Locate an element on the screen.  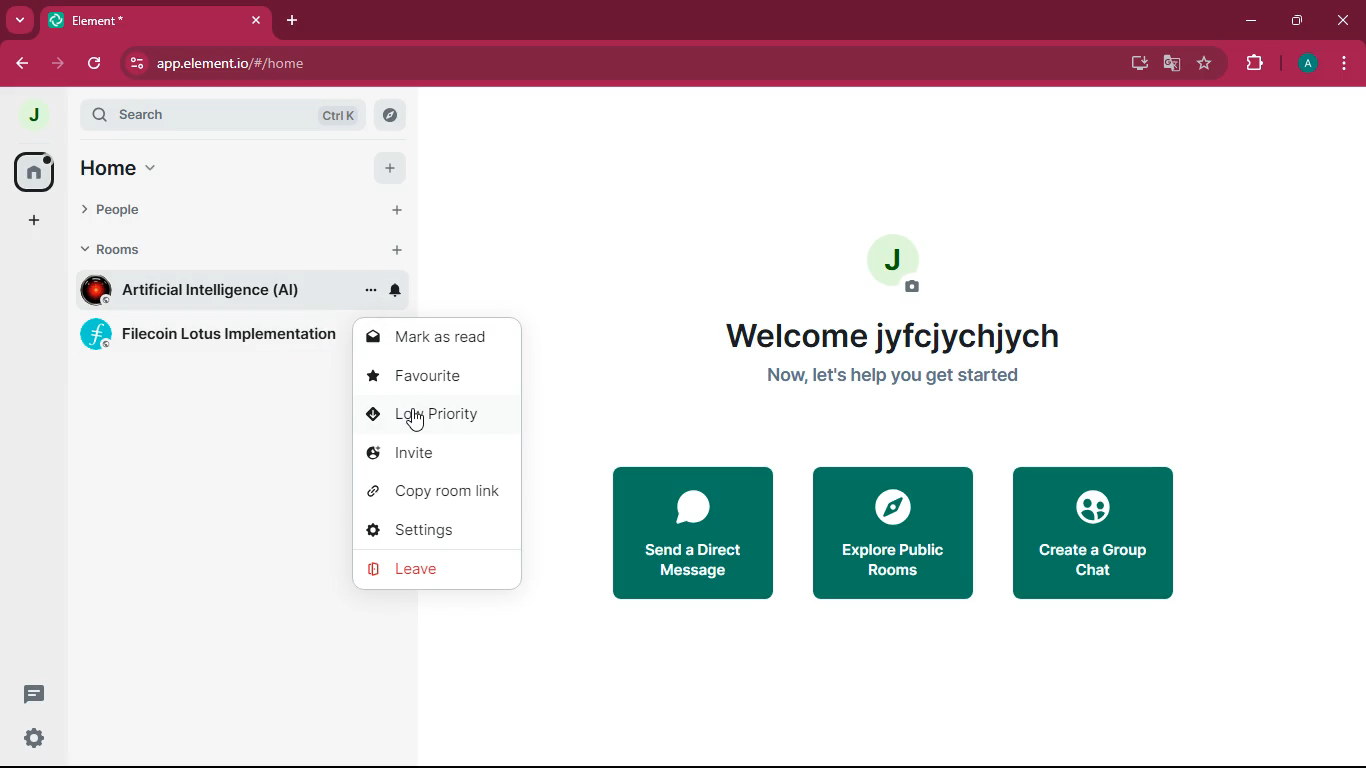
profile picture is located at coordinates (896, 262).